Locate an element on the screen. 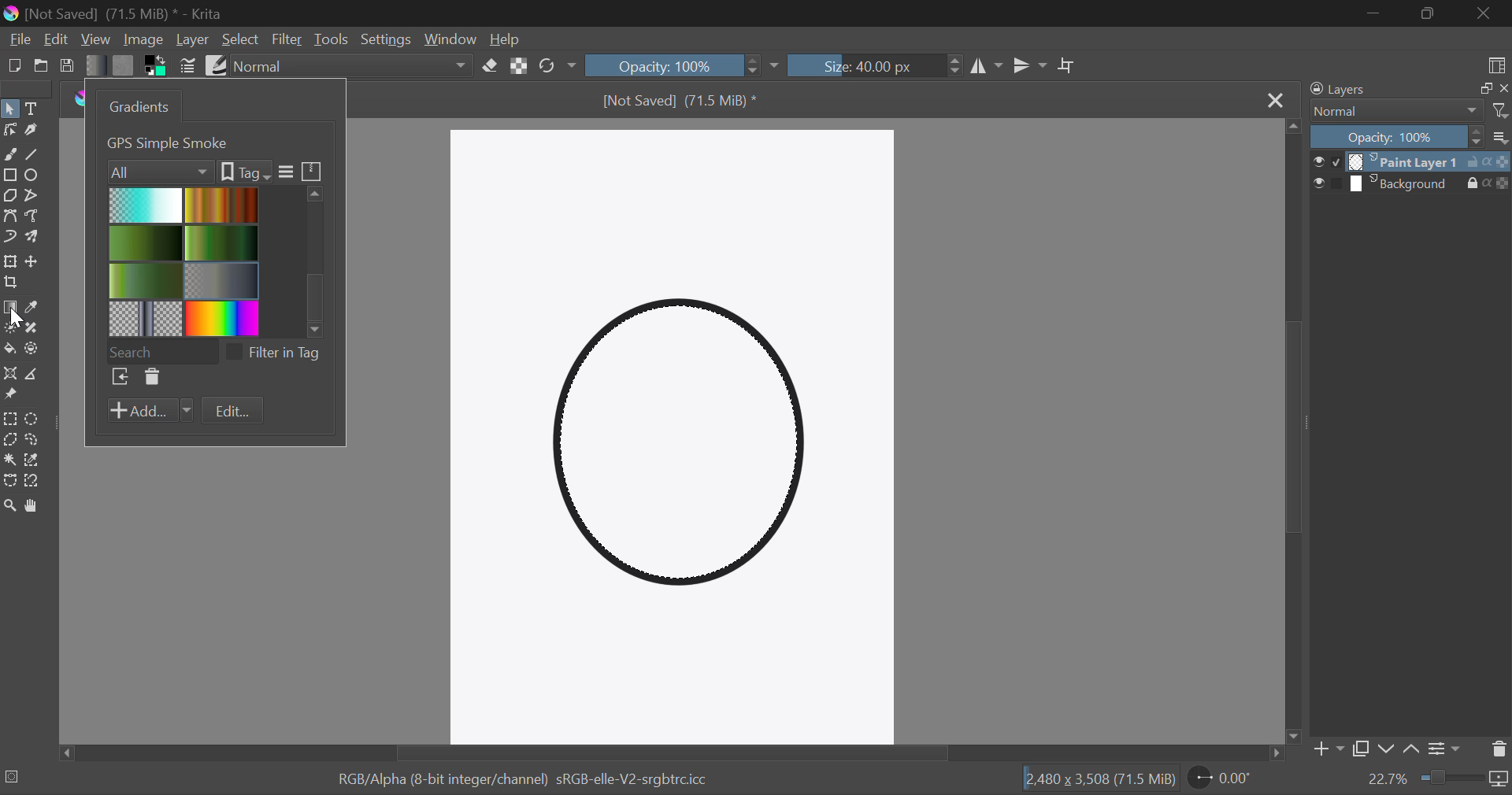 This screenshot has width=1512, height=795. 12,480 x 3,508 (71.5 MiB) is located at coordinates (1099, 779).